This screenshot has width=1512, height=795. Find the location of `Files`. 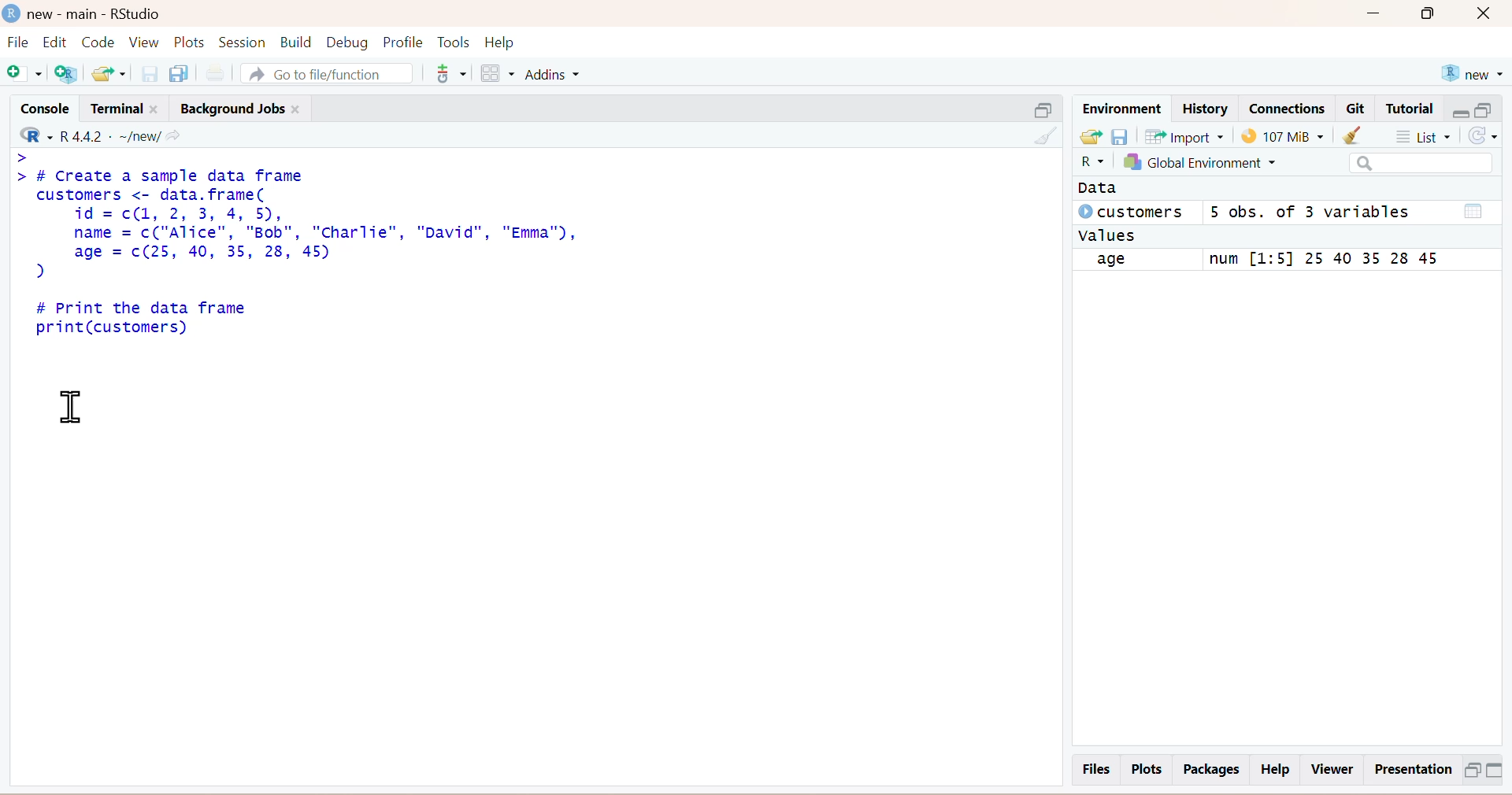

Files is located at coordinates (1094, 768).